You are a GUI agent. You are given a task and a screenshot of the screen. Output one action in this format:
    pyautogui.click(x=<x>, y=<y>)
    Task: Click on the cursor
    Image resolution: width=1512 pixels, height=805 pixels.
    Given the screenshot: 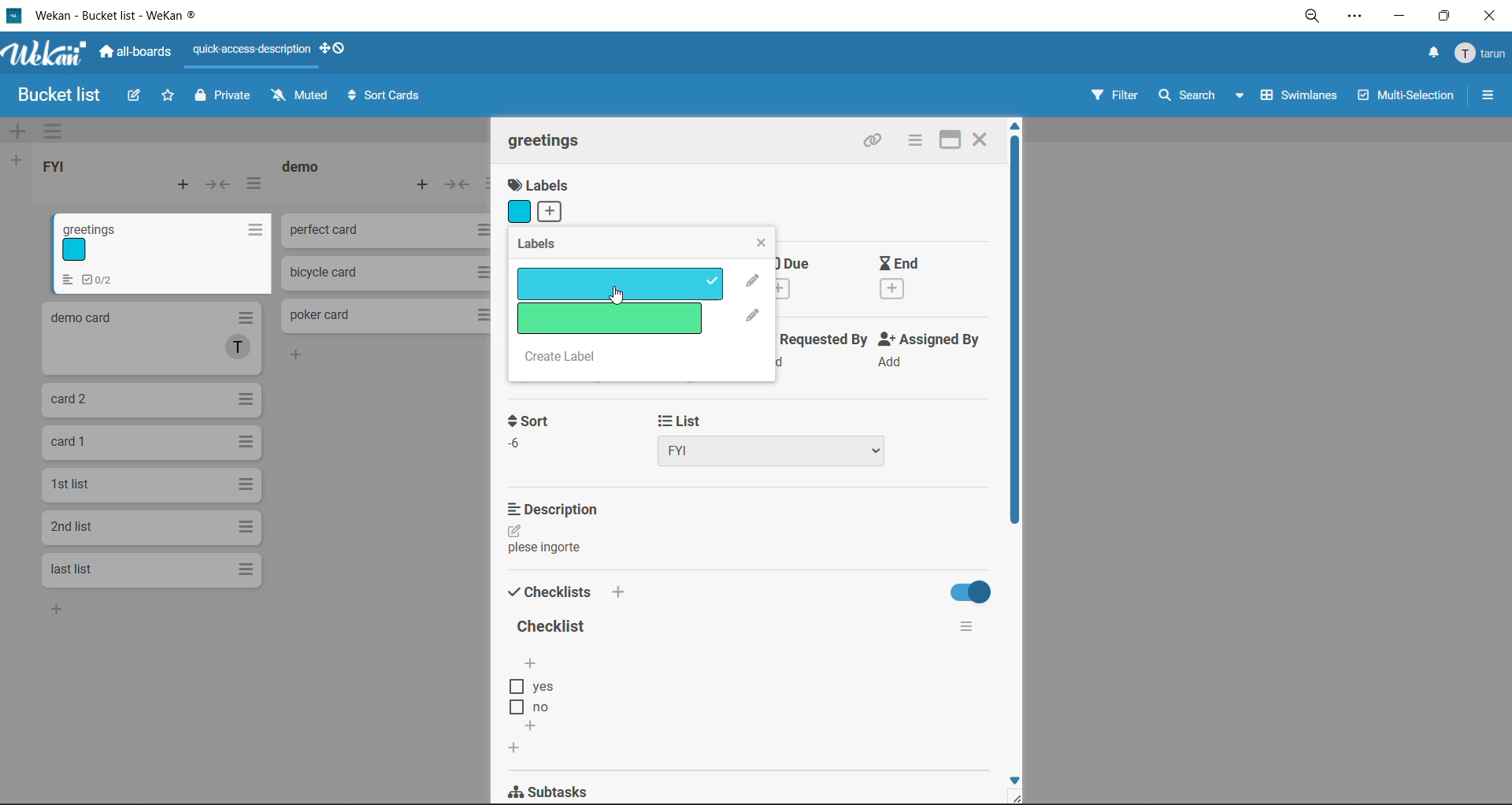 What is the action you would take?
    pyautogui.click(x=619, y=297)
    